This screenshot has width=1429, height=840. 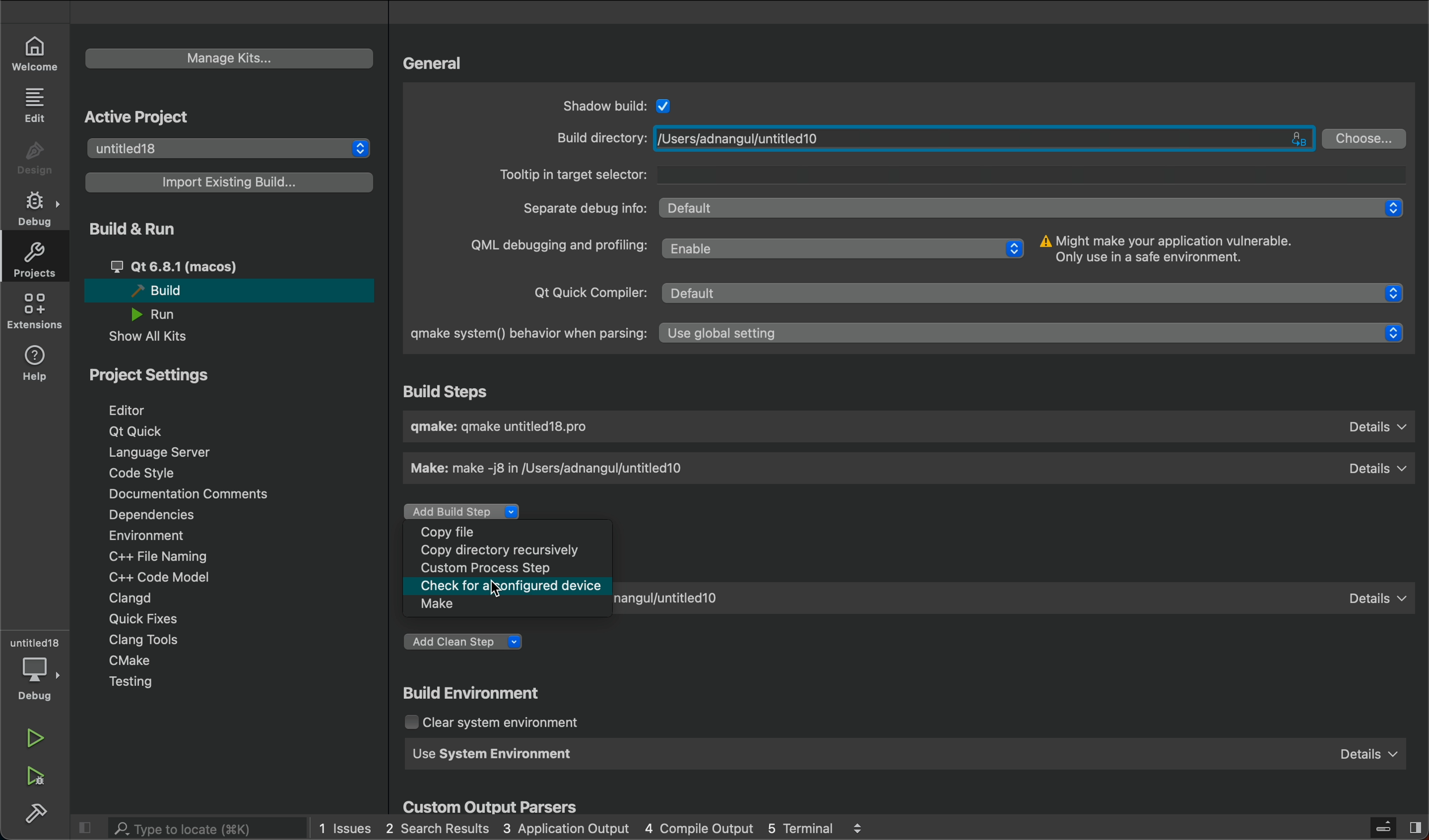 I want to click on Qt 6.8.1 (macos), so click(x=177, y=264).